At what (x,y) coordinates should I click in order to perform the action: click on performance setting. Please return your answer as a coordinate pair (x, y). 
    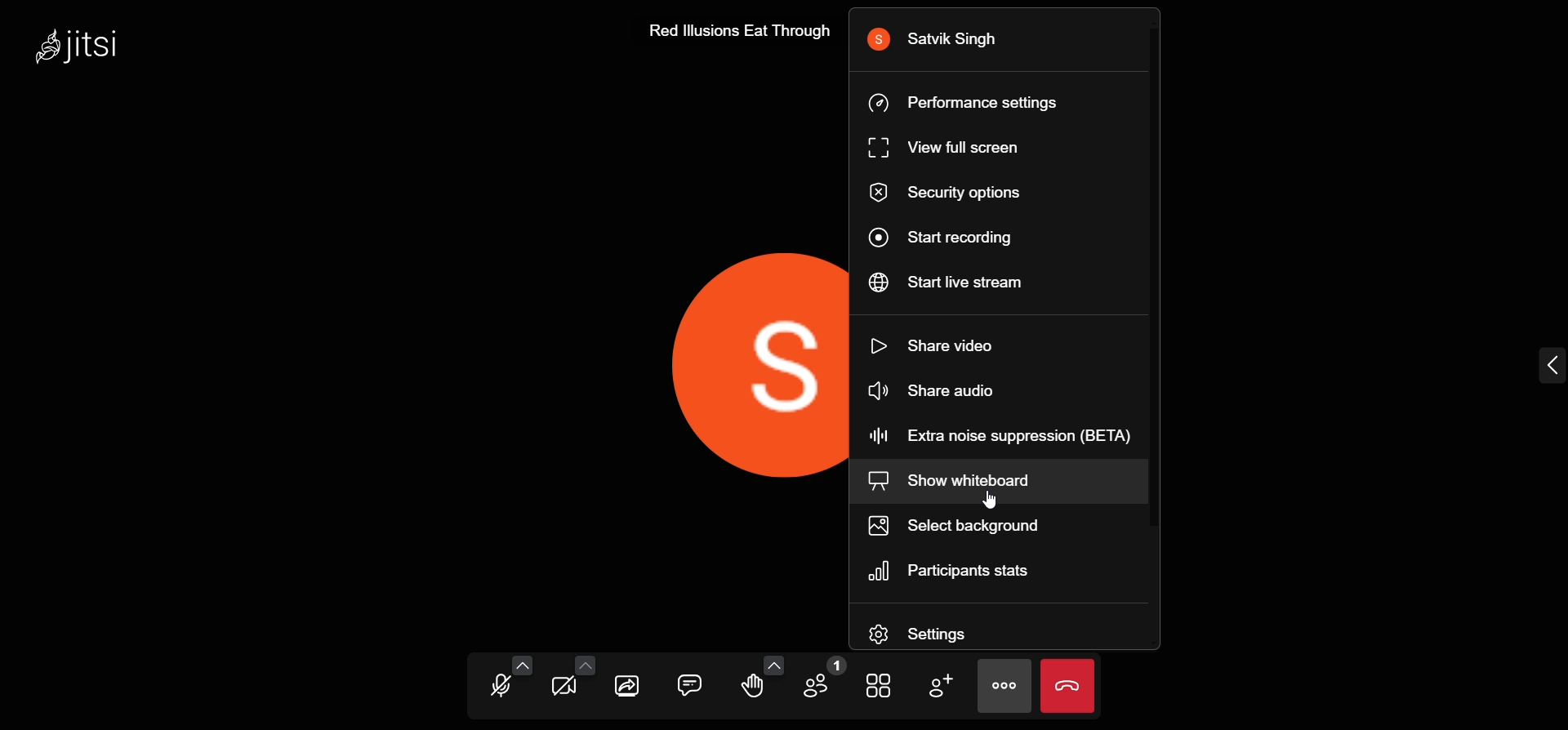
    Looking at the image, I should click on (978, 100).